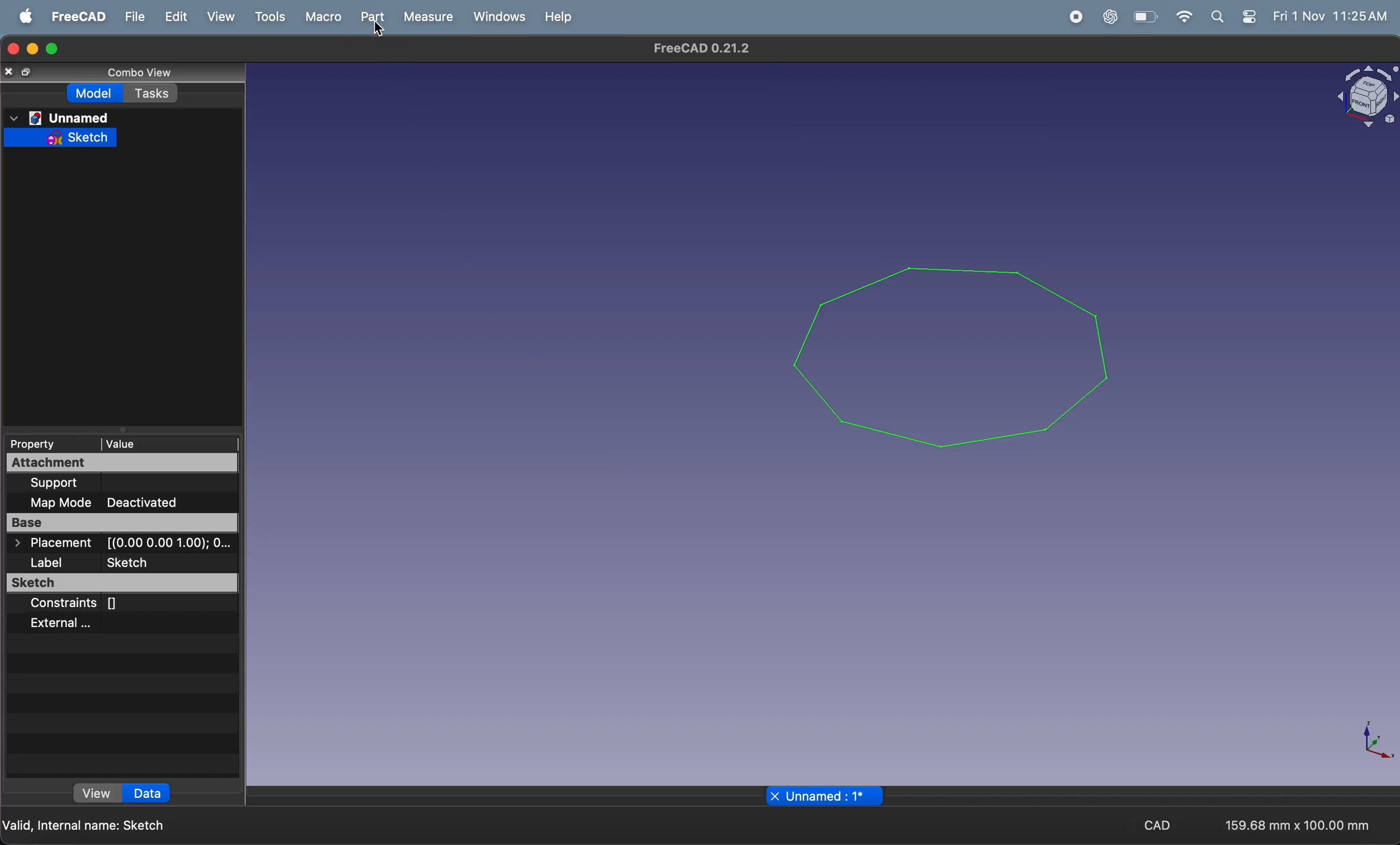 This screenshot has width=1400, height=845. Describe the element at coordinates (148, 794) in the screenshot. I see `data` at that location.